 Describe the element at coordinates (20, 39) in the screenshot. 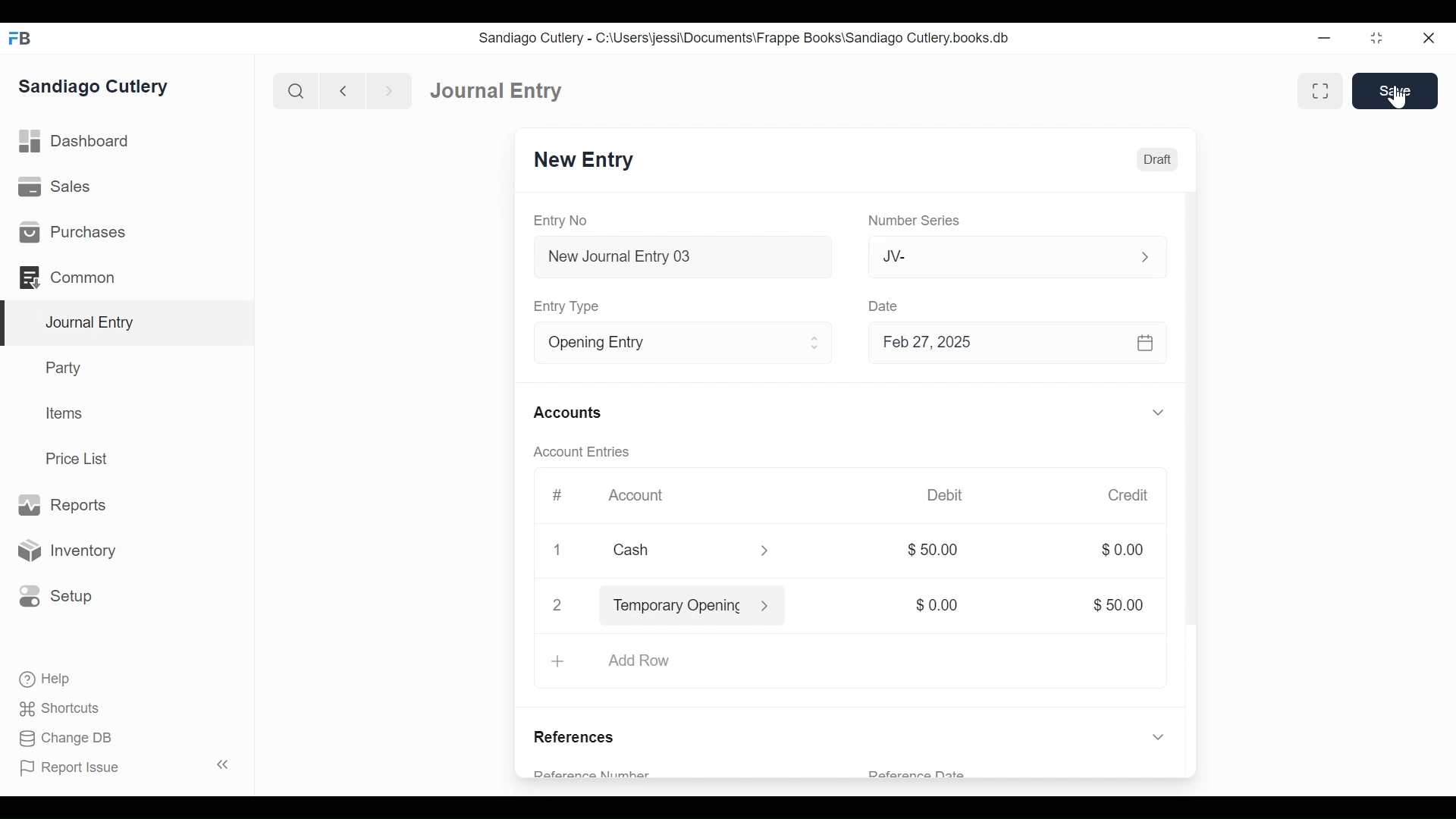

I see `Frappe Books Desktop Icon` at that location.